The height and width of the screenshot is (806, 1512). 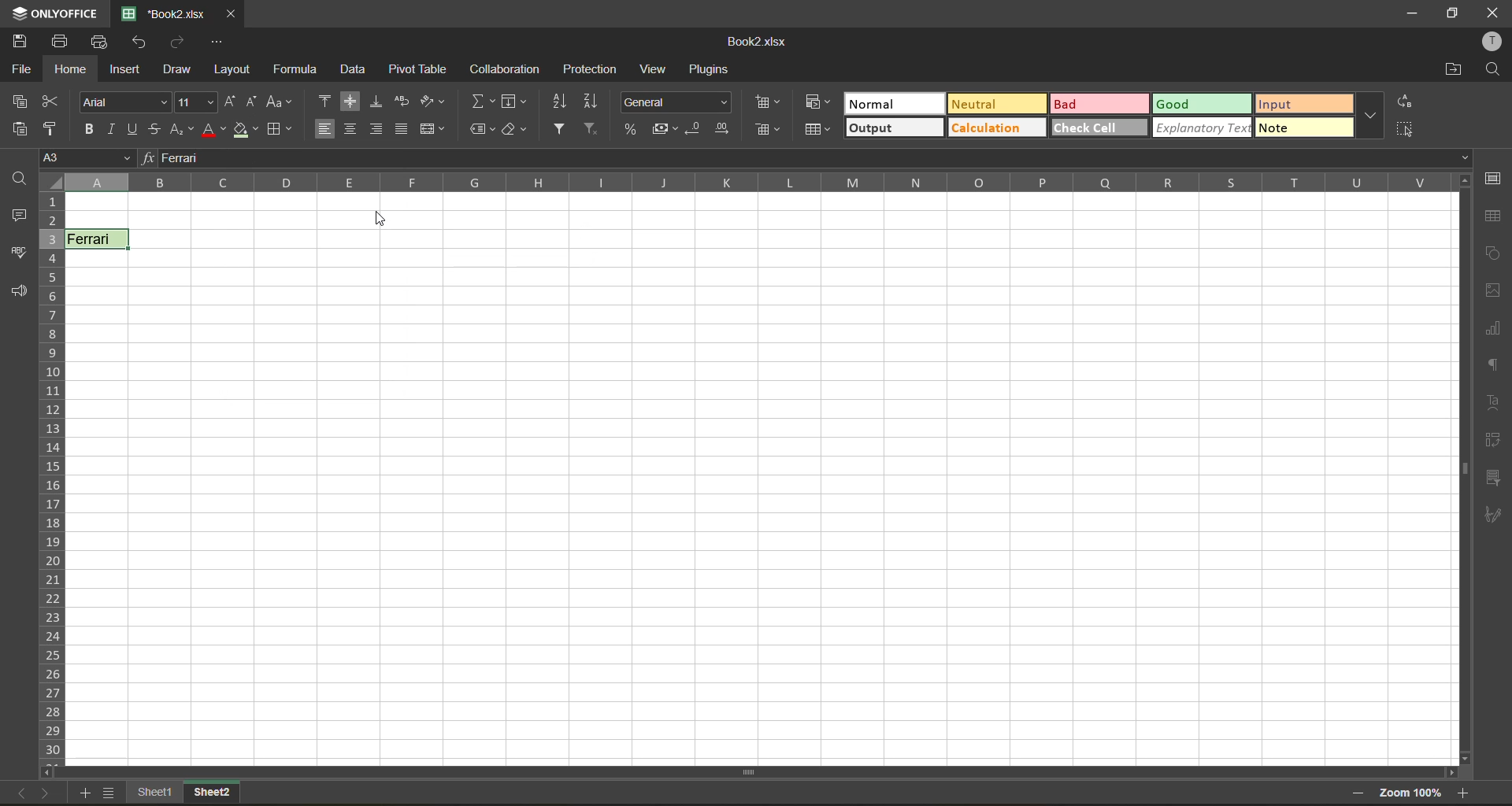 I want to click on Horizonal Scrollbar, so click(x=750, y=771).